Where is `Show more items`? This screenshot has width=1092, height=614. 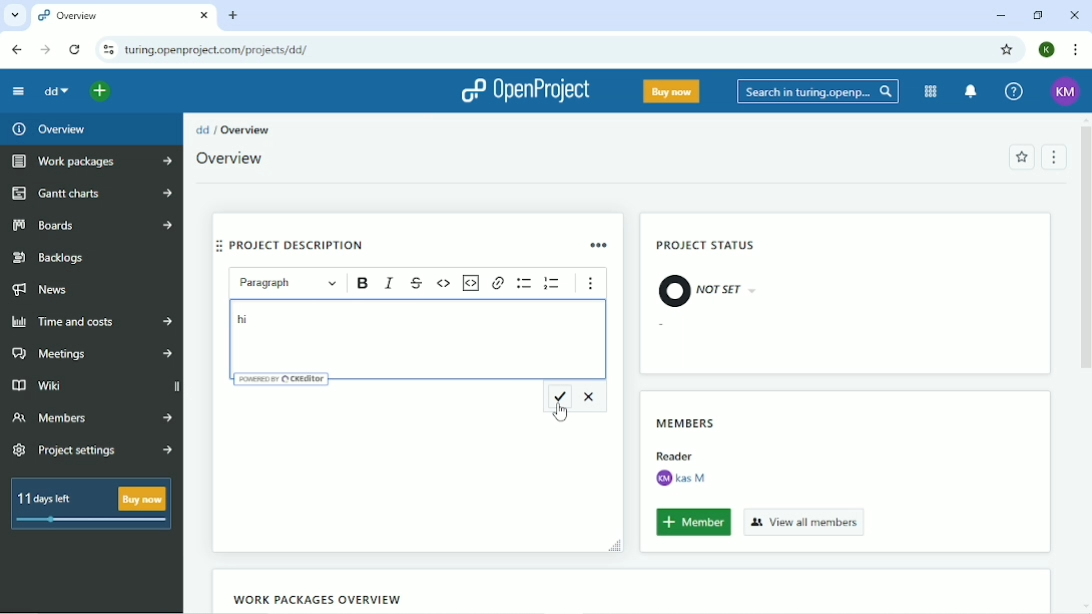 Show more items is located at coordinates (592, 285).